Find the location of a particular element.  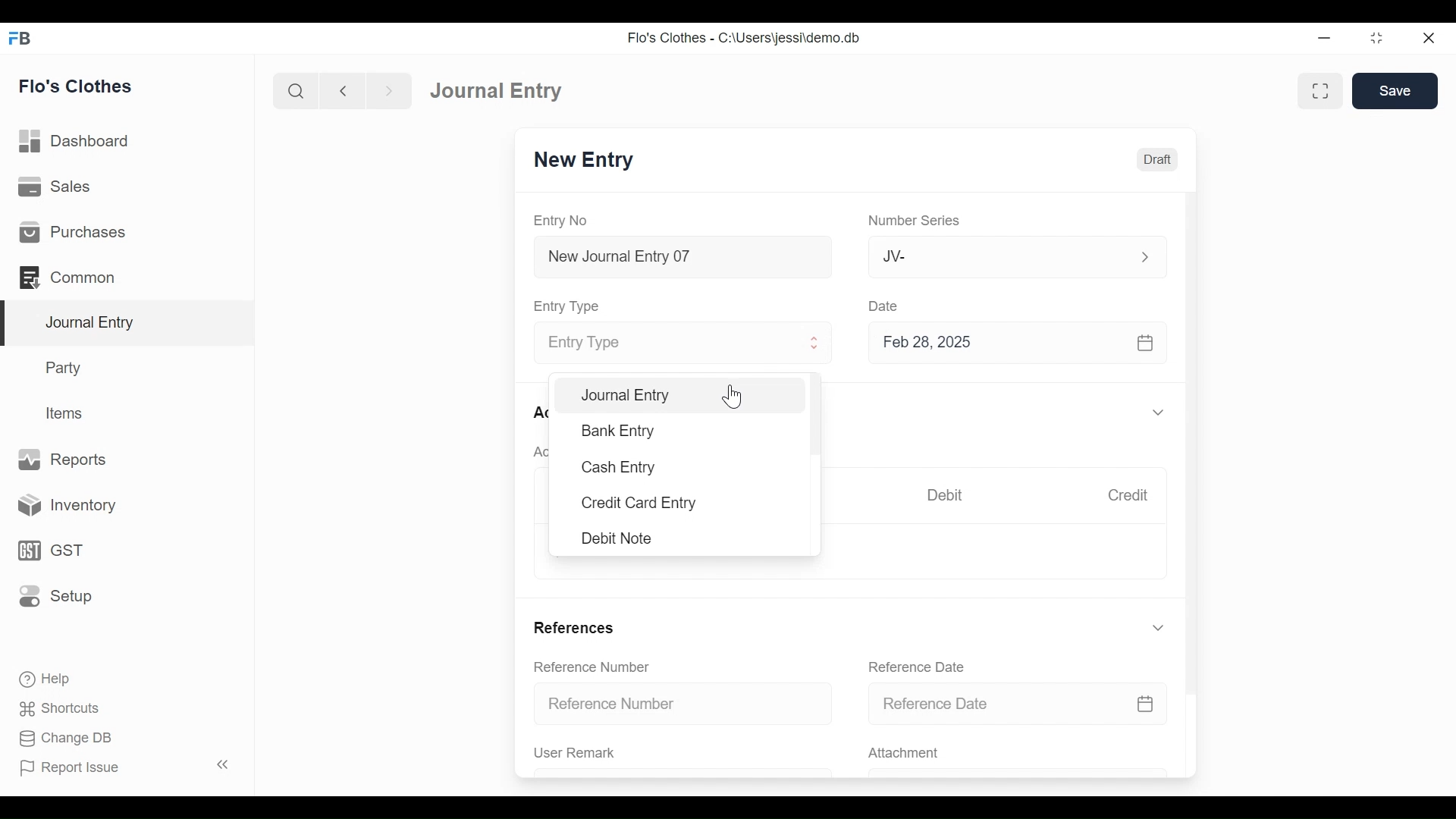

Date is located at coordinates (888, 307).